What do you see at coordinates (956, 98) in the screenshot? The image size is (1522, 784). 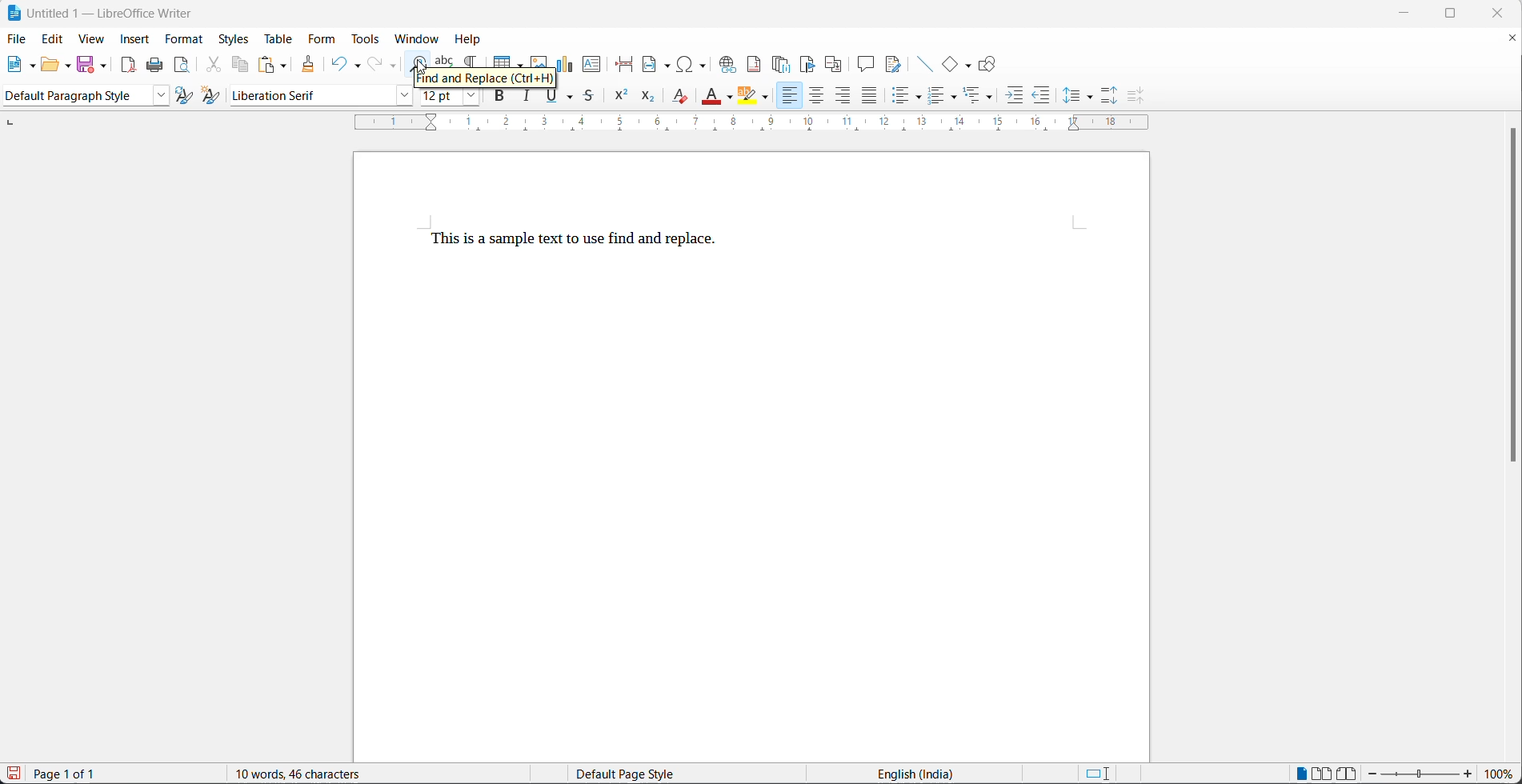 I see `toggle ordered list options` at bounding box center [956, 98].